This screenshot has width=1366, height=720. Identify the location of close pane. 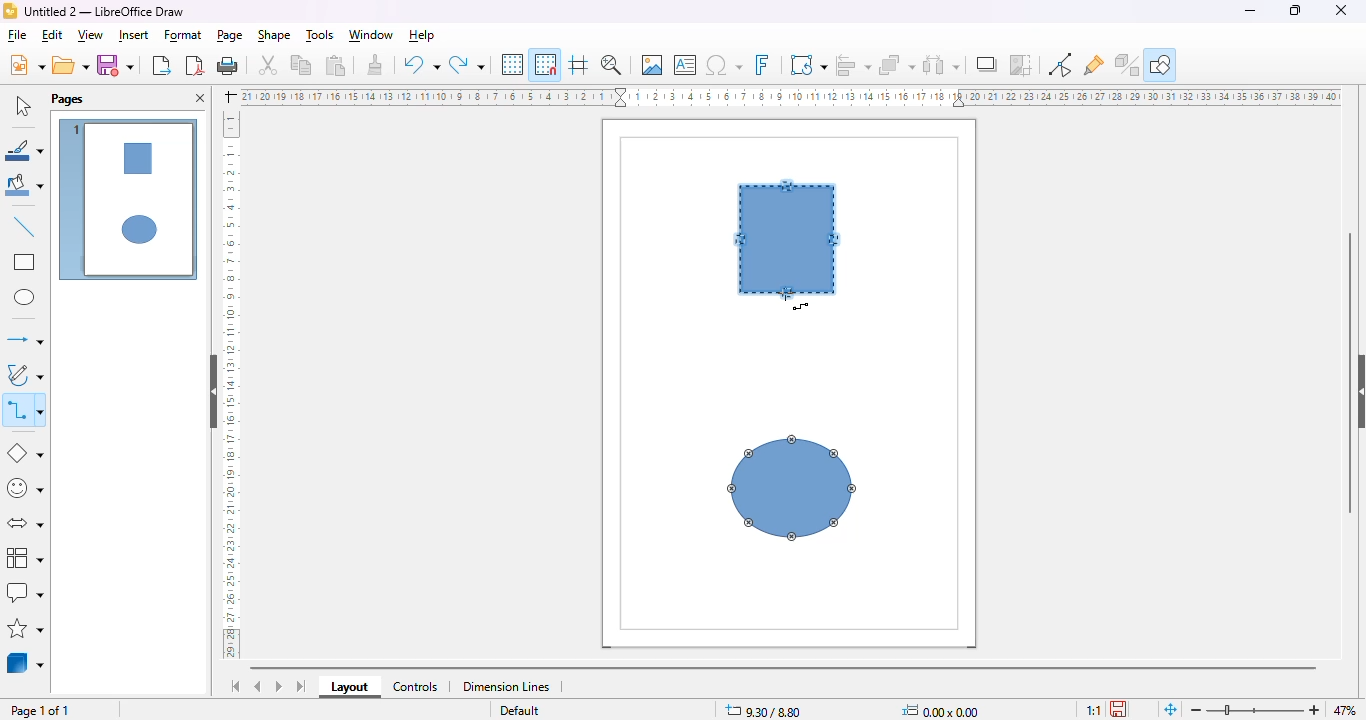
(199, 99).